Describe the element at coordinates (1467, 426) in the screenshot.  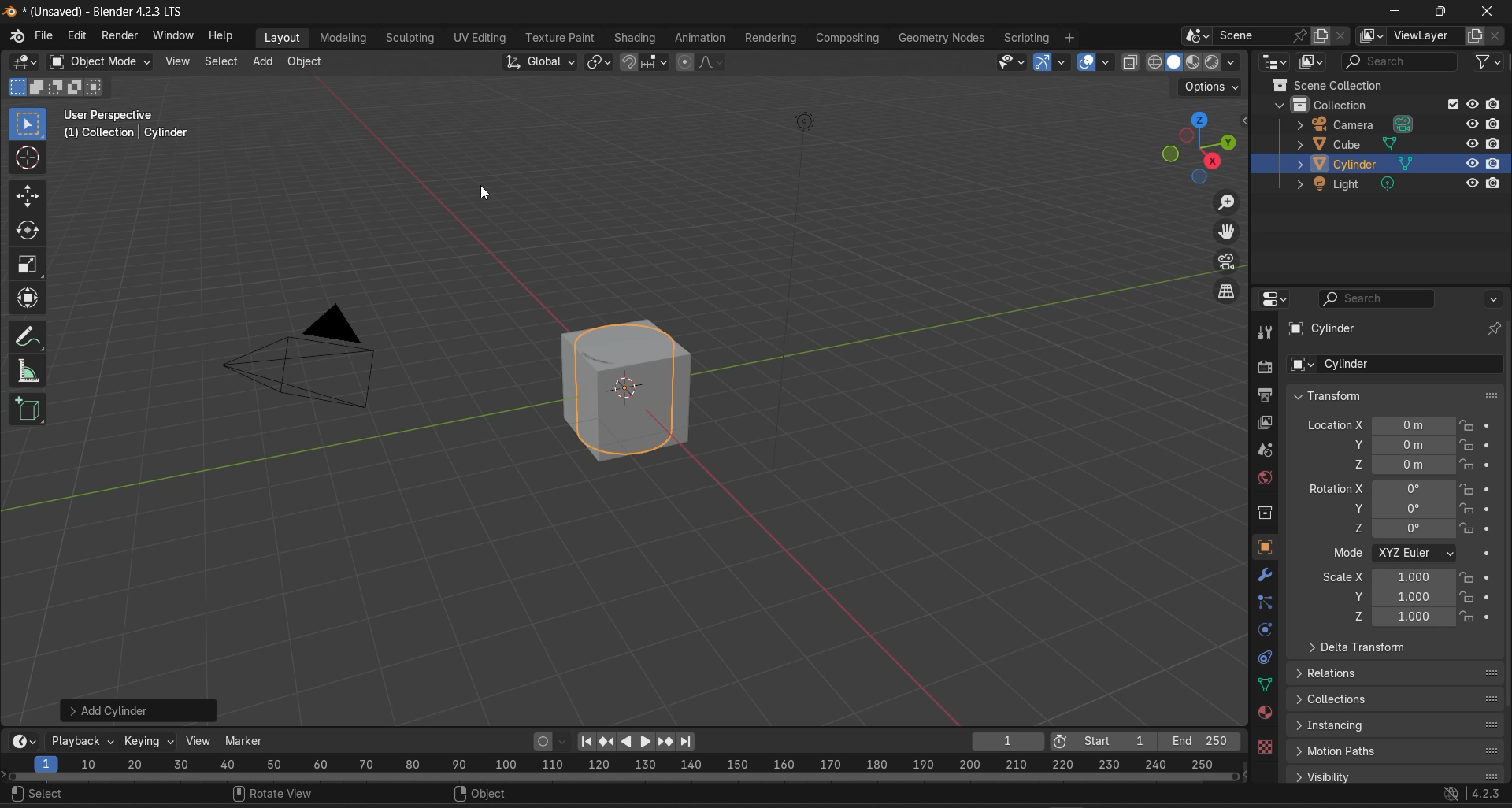
I see `lock location` at that location.